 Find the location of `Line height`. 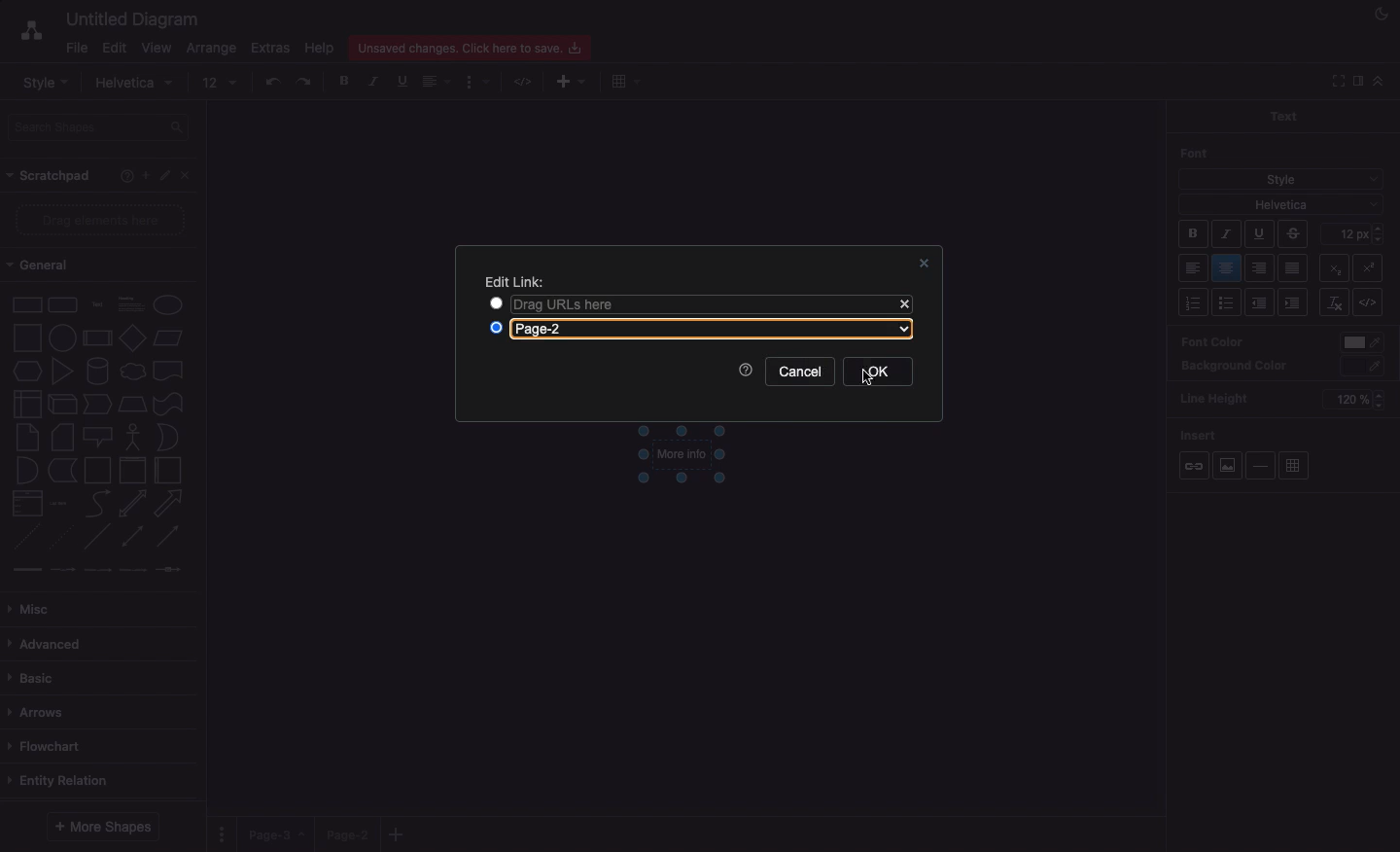

Line height is located at coordinates (1221, 396).